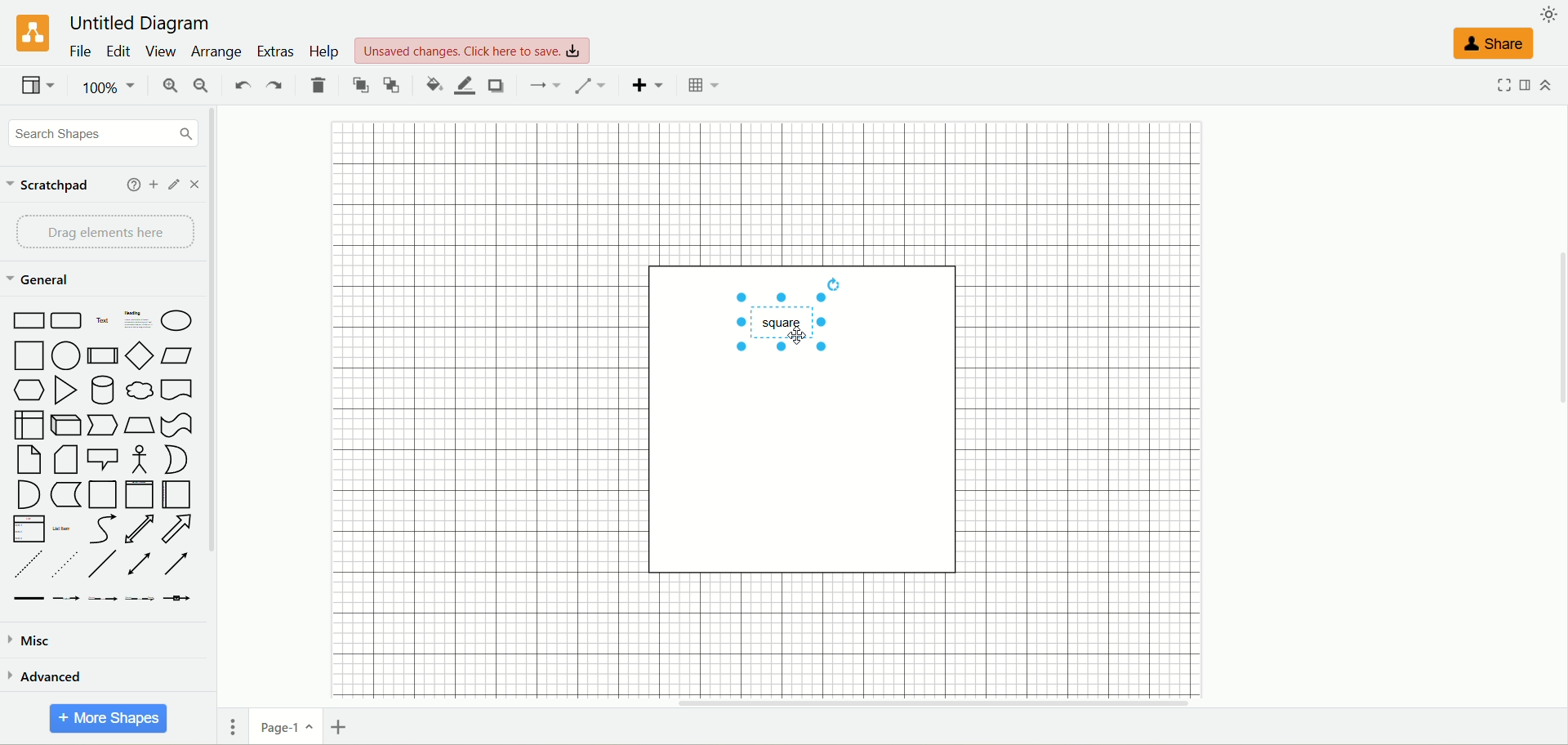 The image size is (1568, 745). What do you see at coordinates (433, 85) in the screenshot?
I see `fill color` at bounding box center [433, 85].